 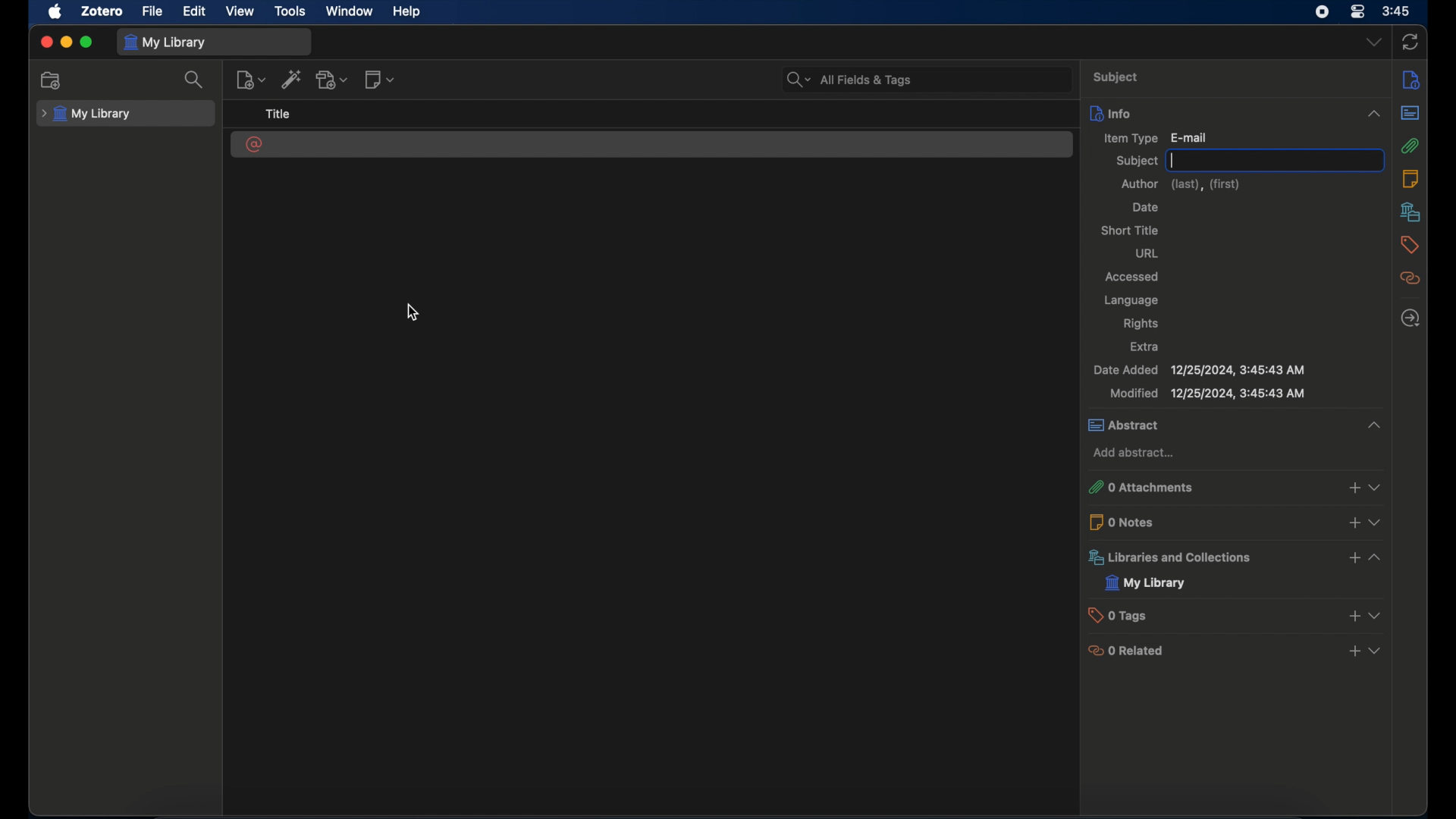 What do you see at coordinates (1137, 161) in the screenshot?
I see `subject` at bounding box center [1137, 161].